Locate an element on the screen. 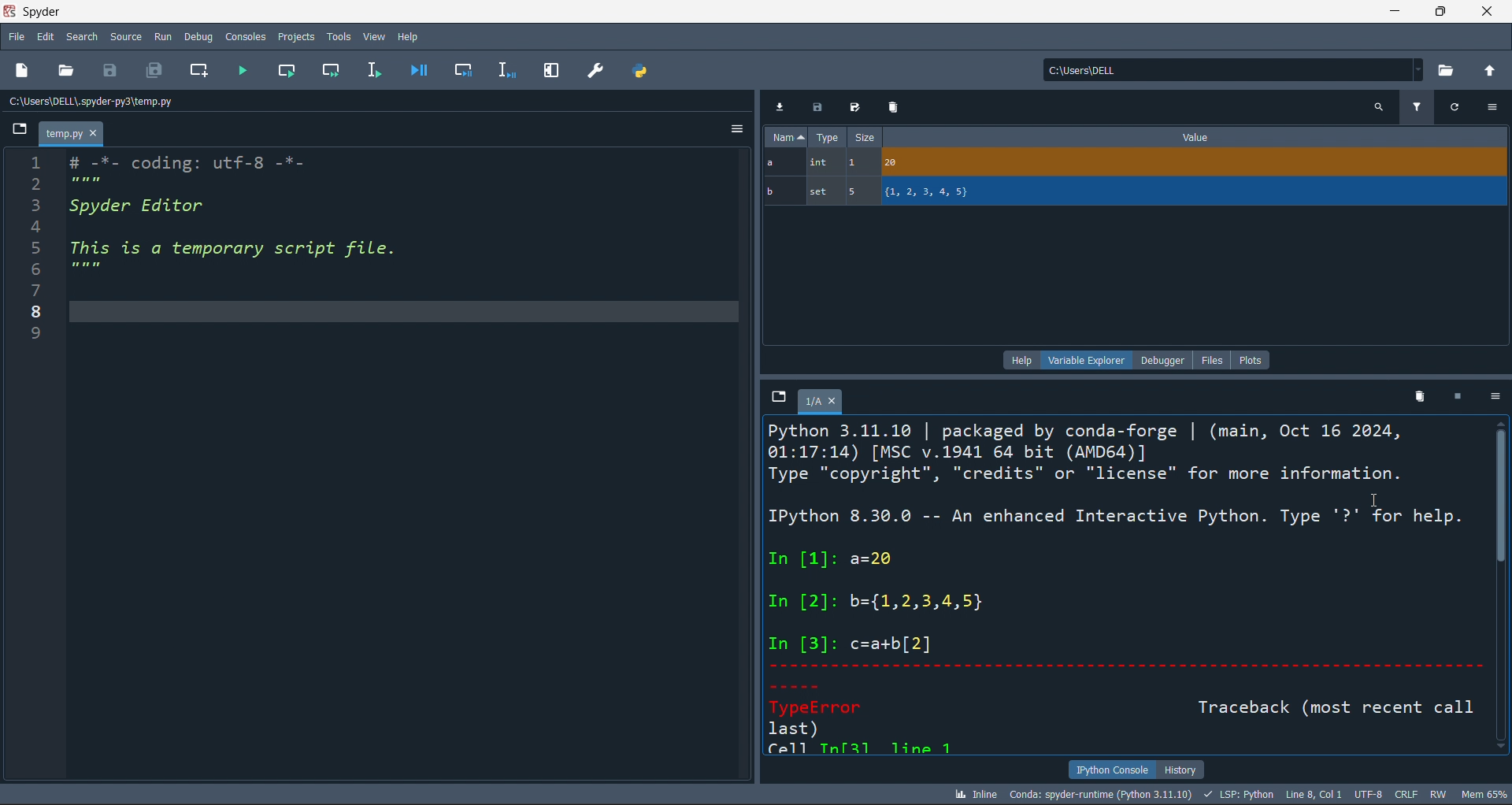  debuf is located at coordinates (198, 35).